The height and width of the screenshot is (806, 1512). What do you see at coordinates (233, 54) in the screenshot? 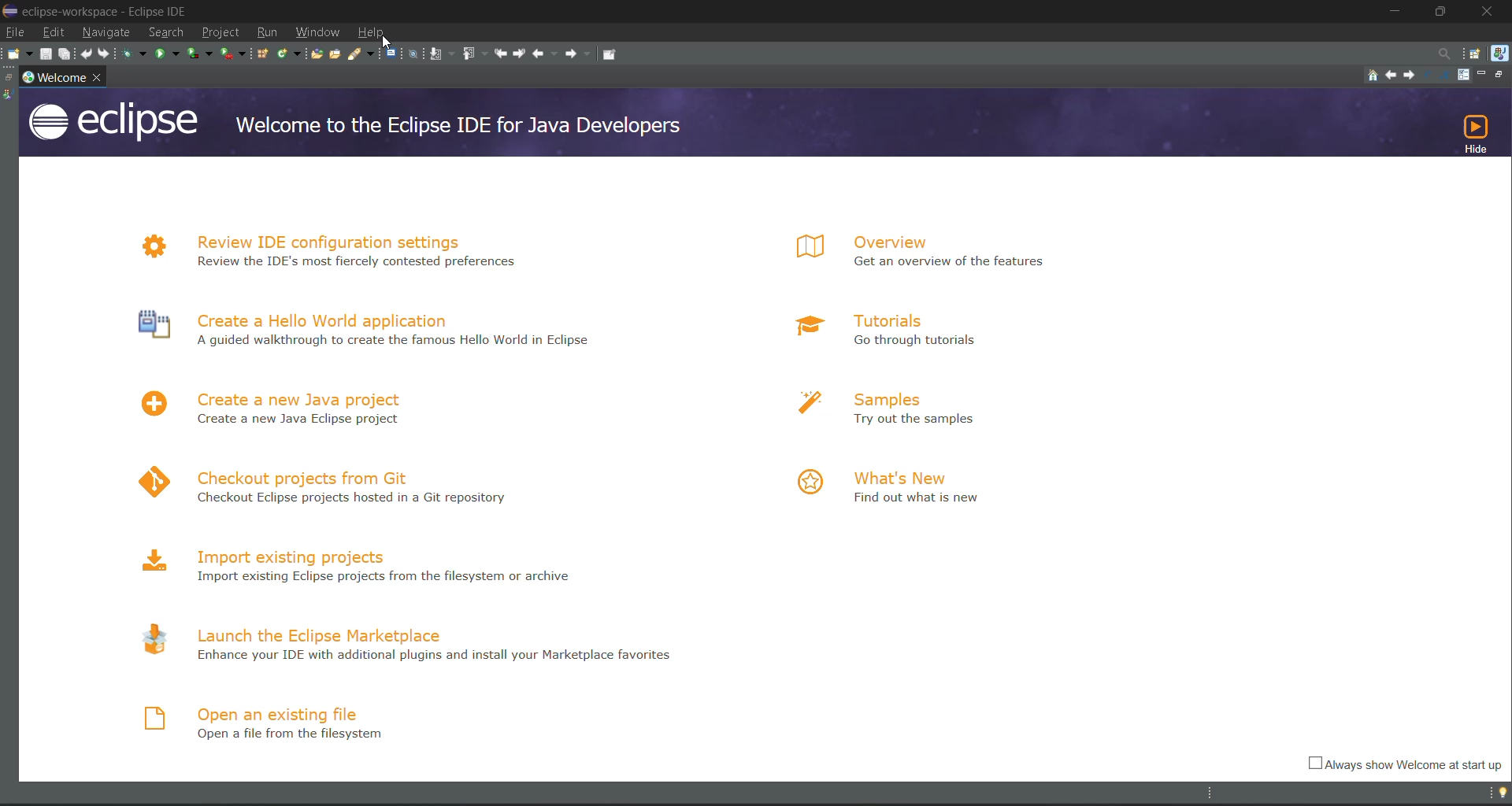
I see `run last tool` at bounding box center [233, 54].